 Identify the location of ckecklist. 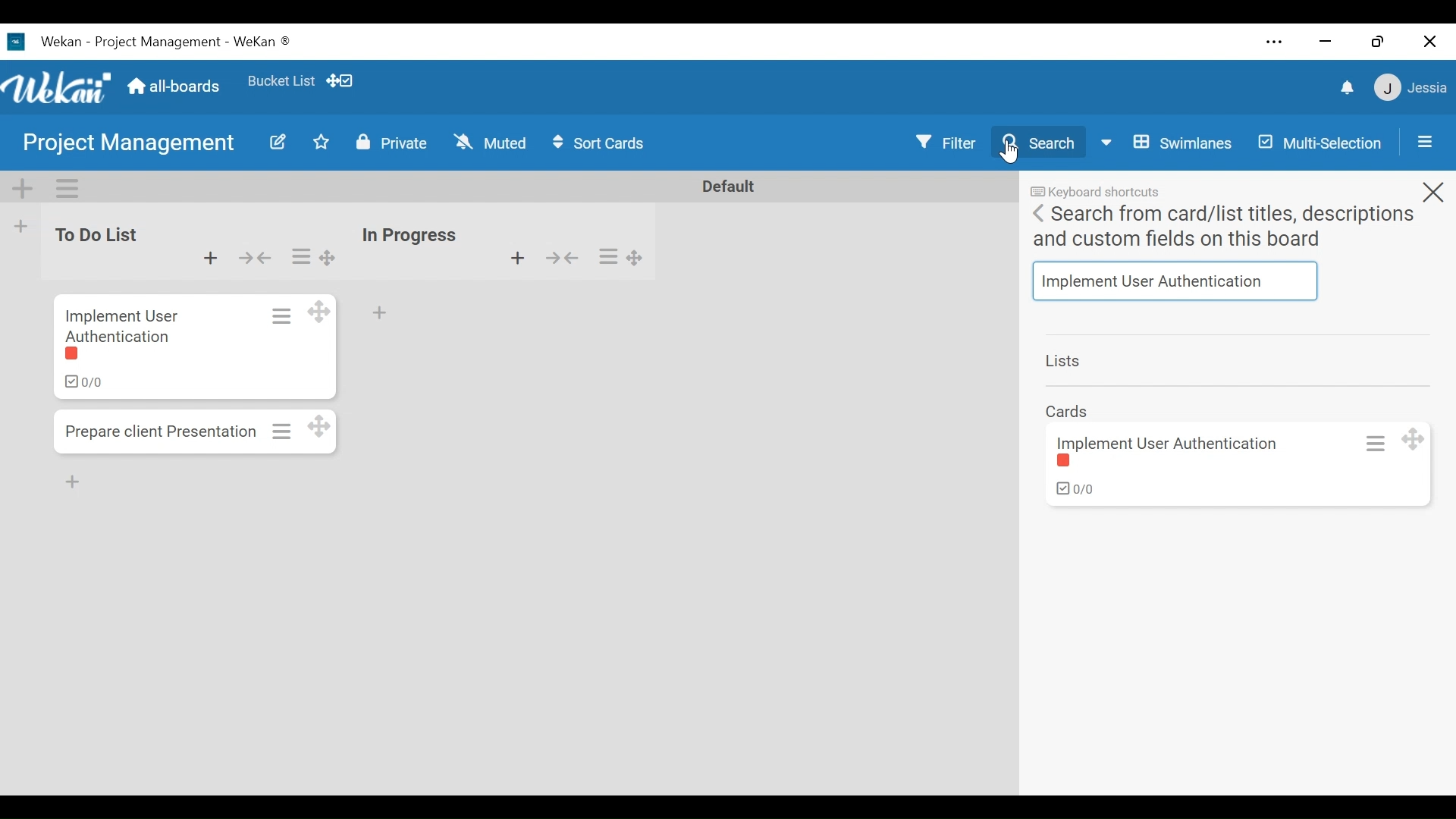
(83, 382).